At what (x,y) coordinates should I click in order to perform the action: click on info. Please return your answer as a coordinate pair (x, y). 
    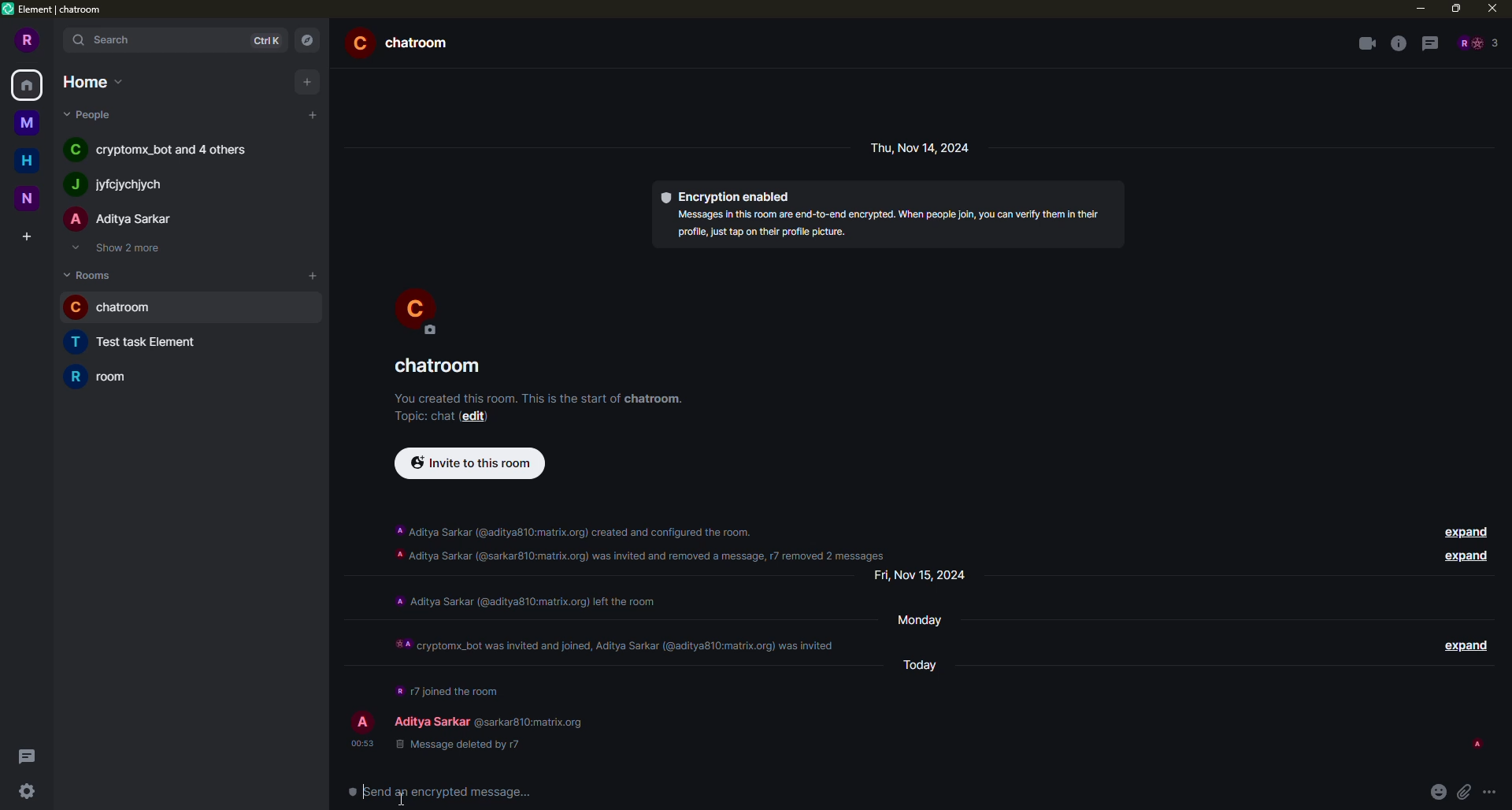
    Looking at the image, I should click on (539, 396).